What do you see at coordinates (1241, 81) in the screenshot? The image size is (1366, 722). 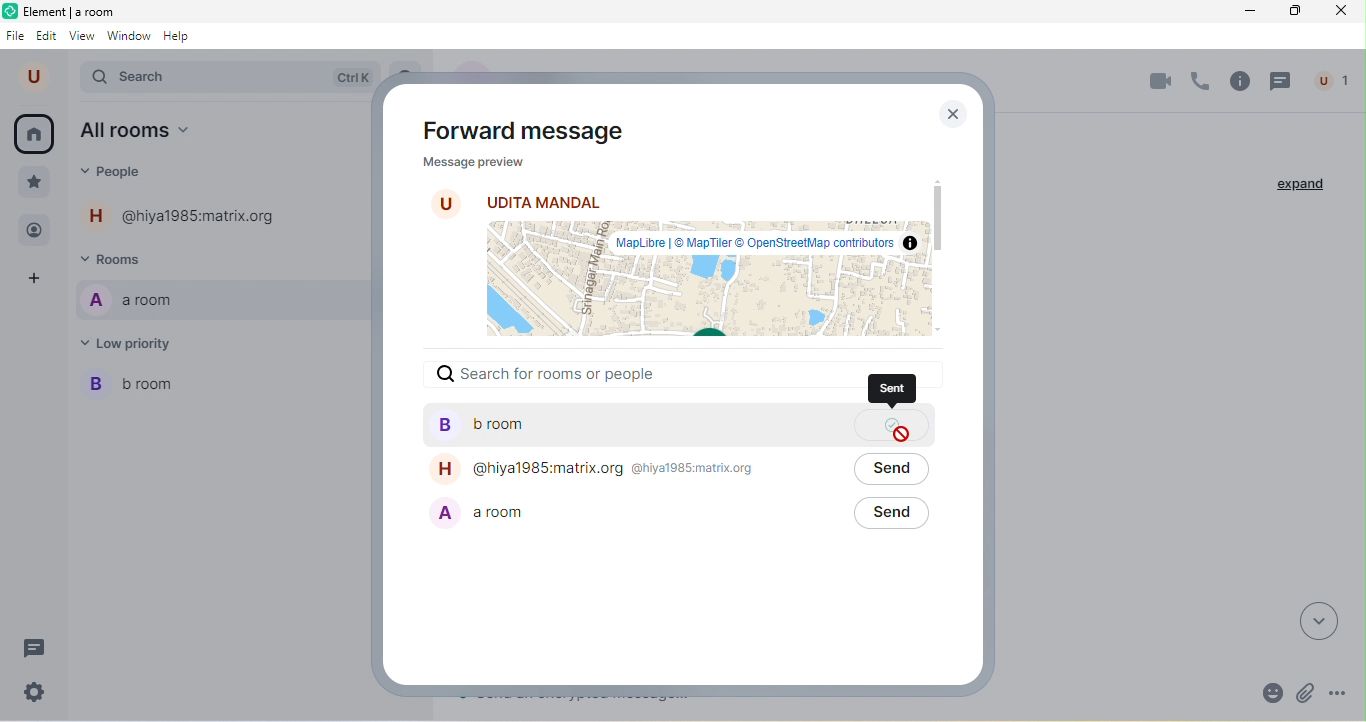 I see `room info` at bounding box center [1241, 81].